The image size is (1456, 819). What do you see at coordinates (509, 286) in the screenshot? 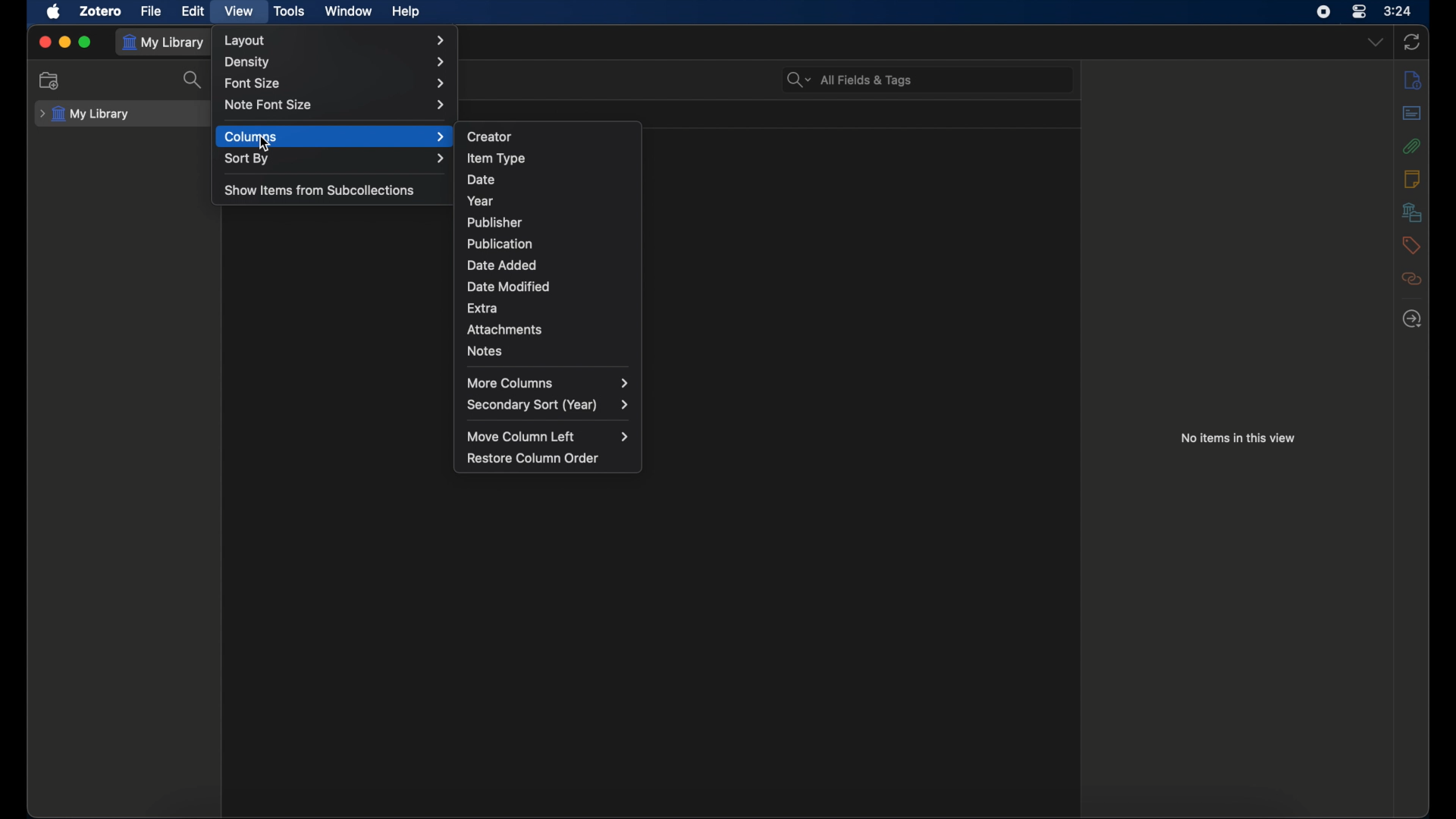
I see `date modified` at bounding box center [509, 286].